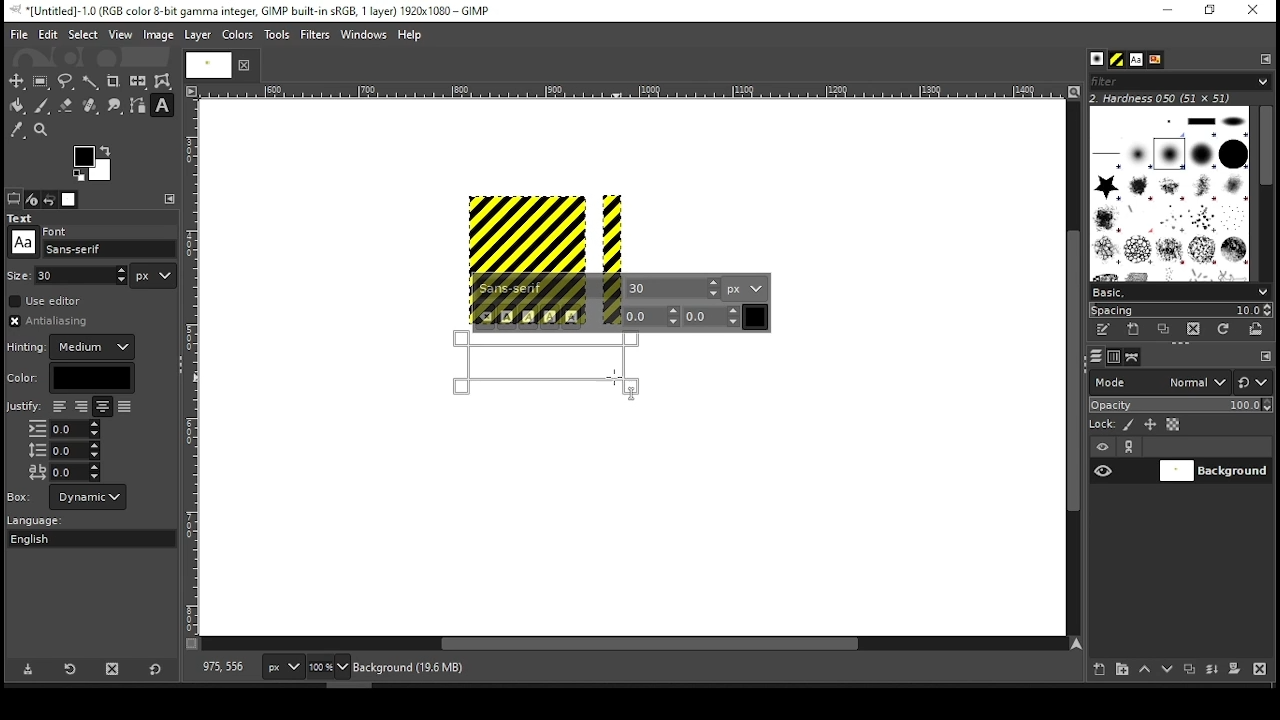 This screenshot has height=720, width=1280. What do you see at coordinates (1095, 667) in the screenshot?
I see `new layer` at bounding box center [1095, 667].